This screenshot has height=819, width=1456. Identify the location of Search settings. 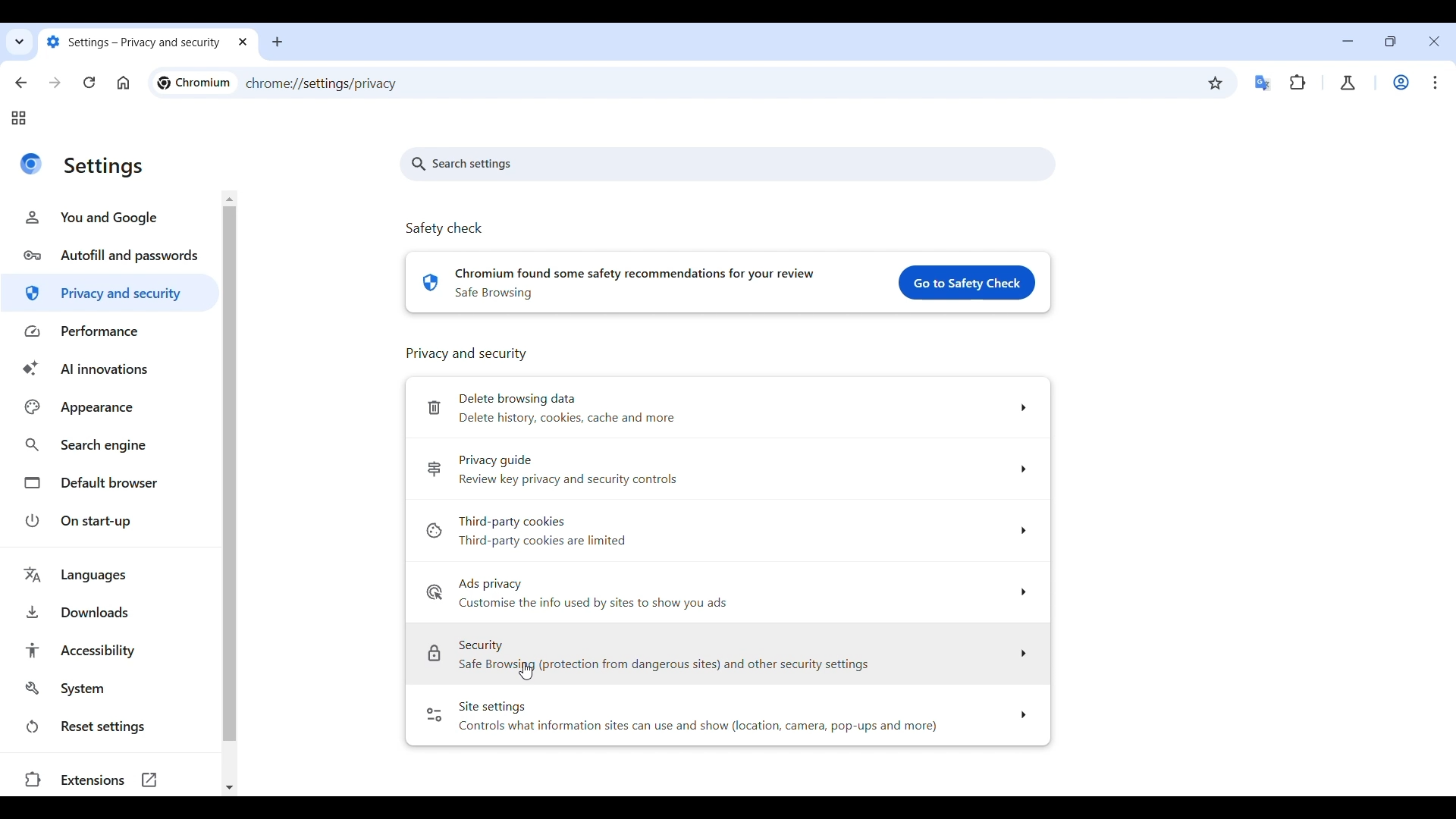
(726, 165).